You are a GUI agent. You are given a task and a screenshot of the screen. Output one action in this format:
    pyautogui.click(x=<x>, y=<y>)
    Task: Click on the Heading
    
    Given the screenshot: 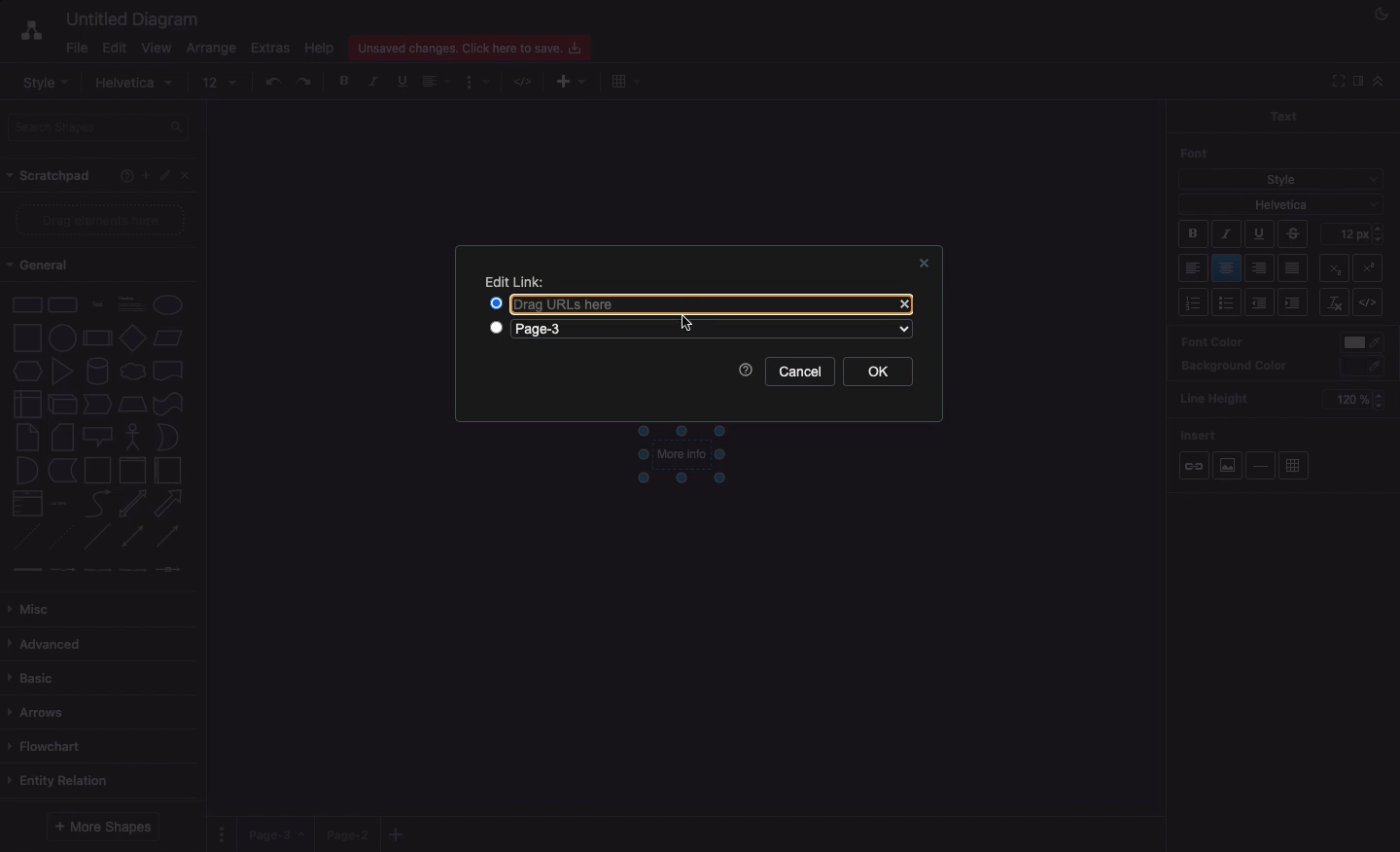 What is the action you would take?
    pyautogui.click(x=133, y=302)
    